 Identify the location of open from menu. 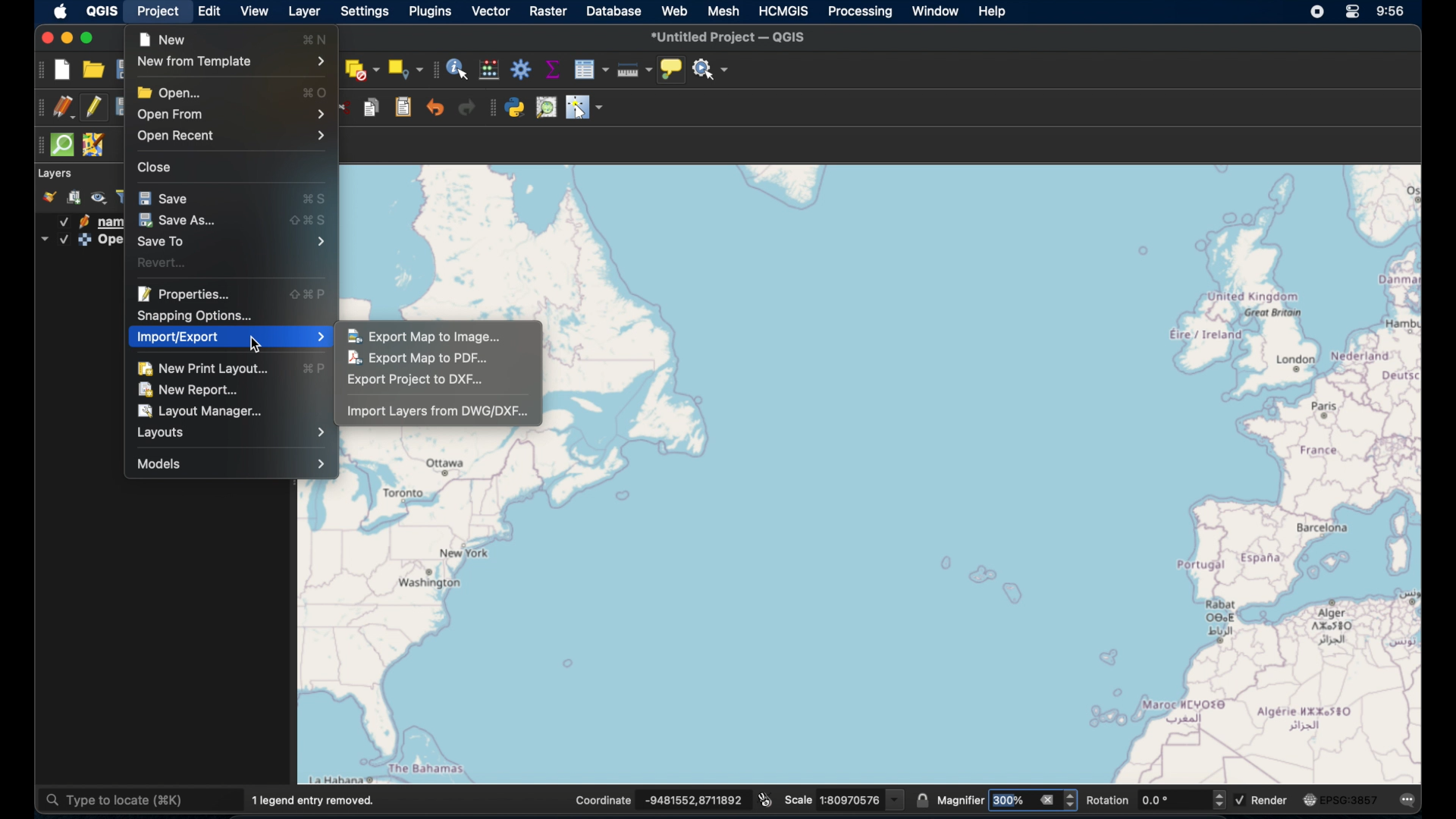
(230, 114).